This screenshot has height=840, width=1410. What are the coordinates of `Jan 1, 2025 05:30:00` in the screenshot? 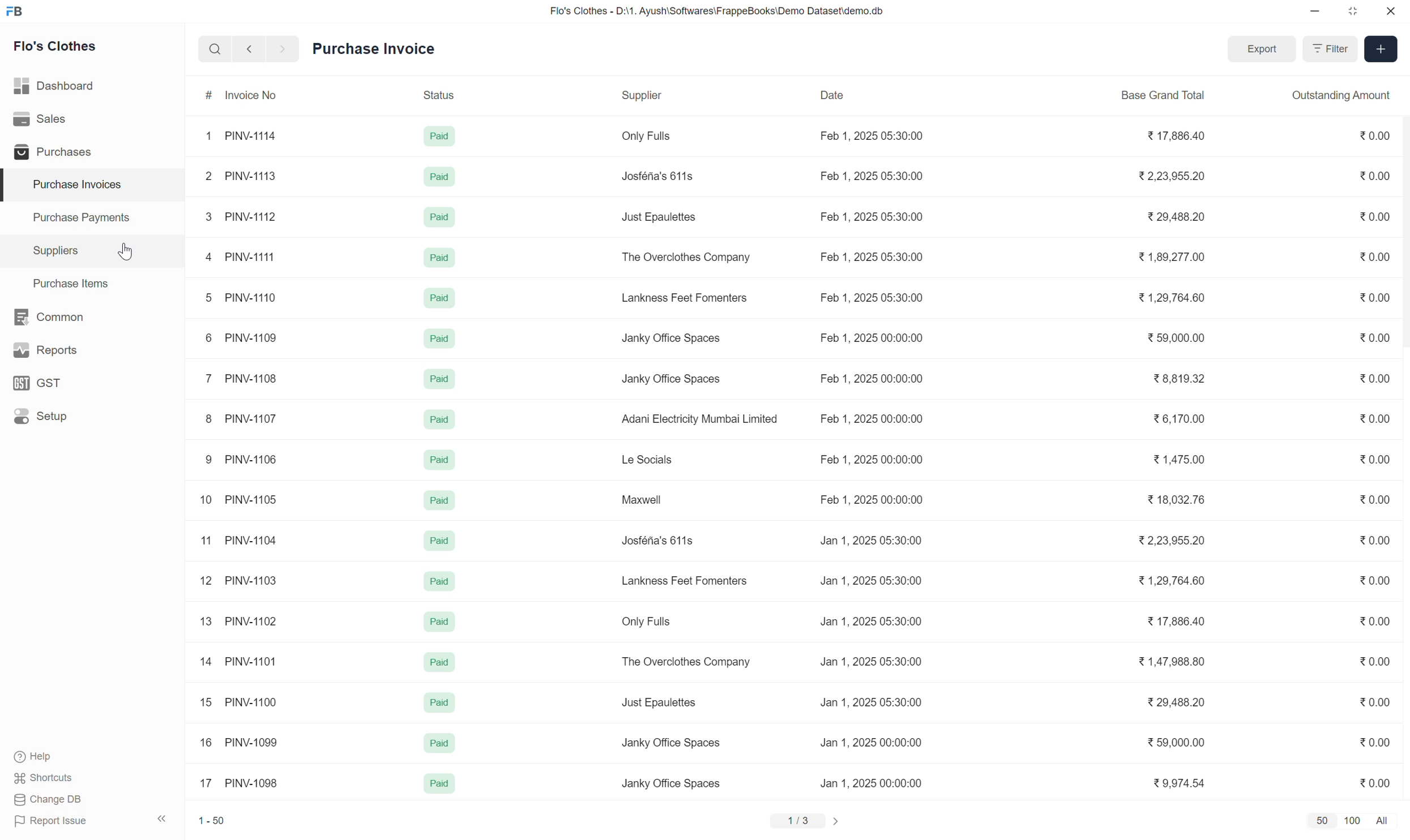 It's located at (871, 702).